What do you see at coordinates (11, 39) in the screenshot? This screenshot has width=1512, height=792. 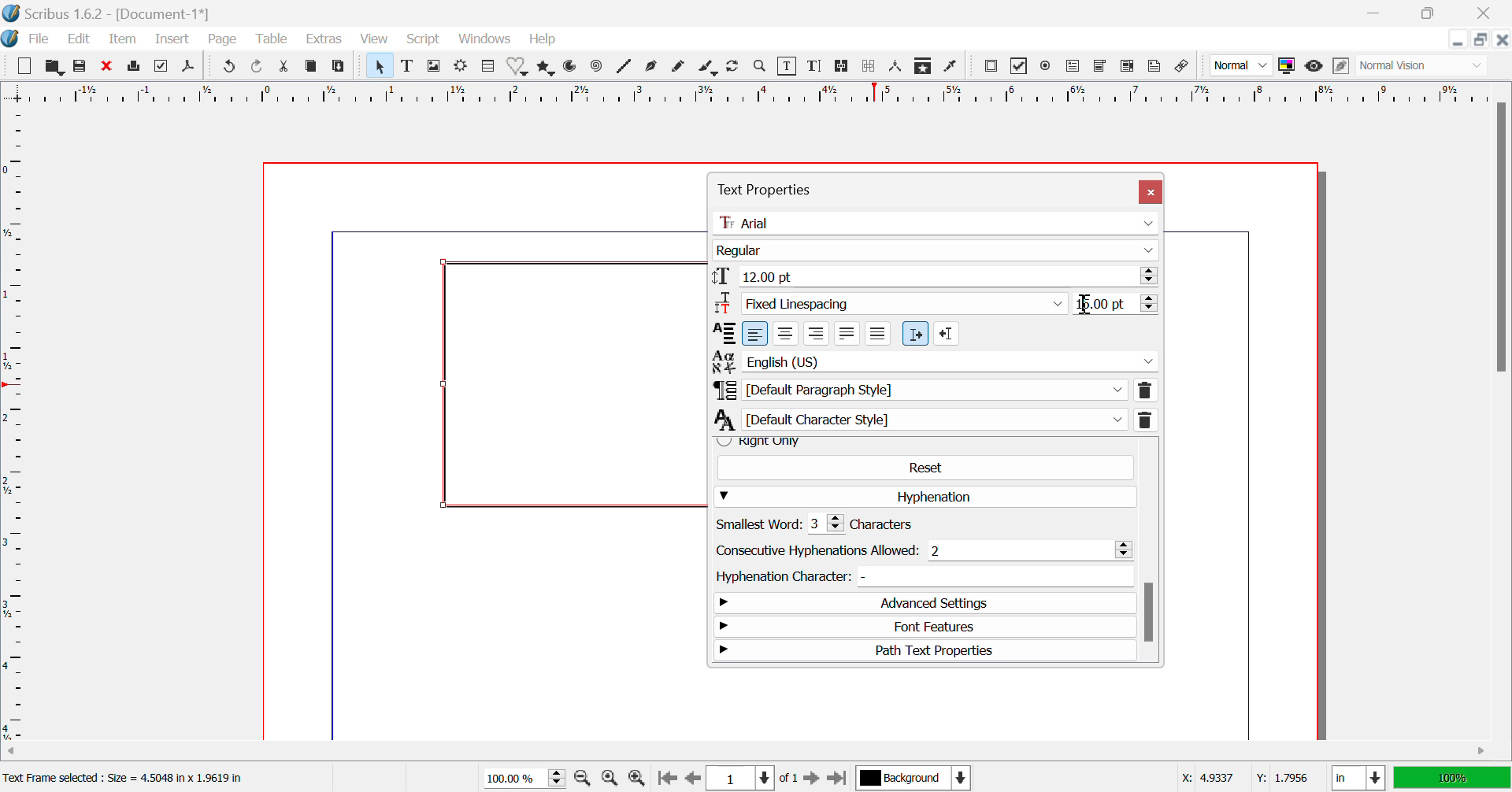 I see `Scribus Logo` at bounding box center [11, 39].